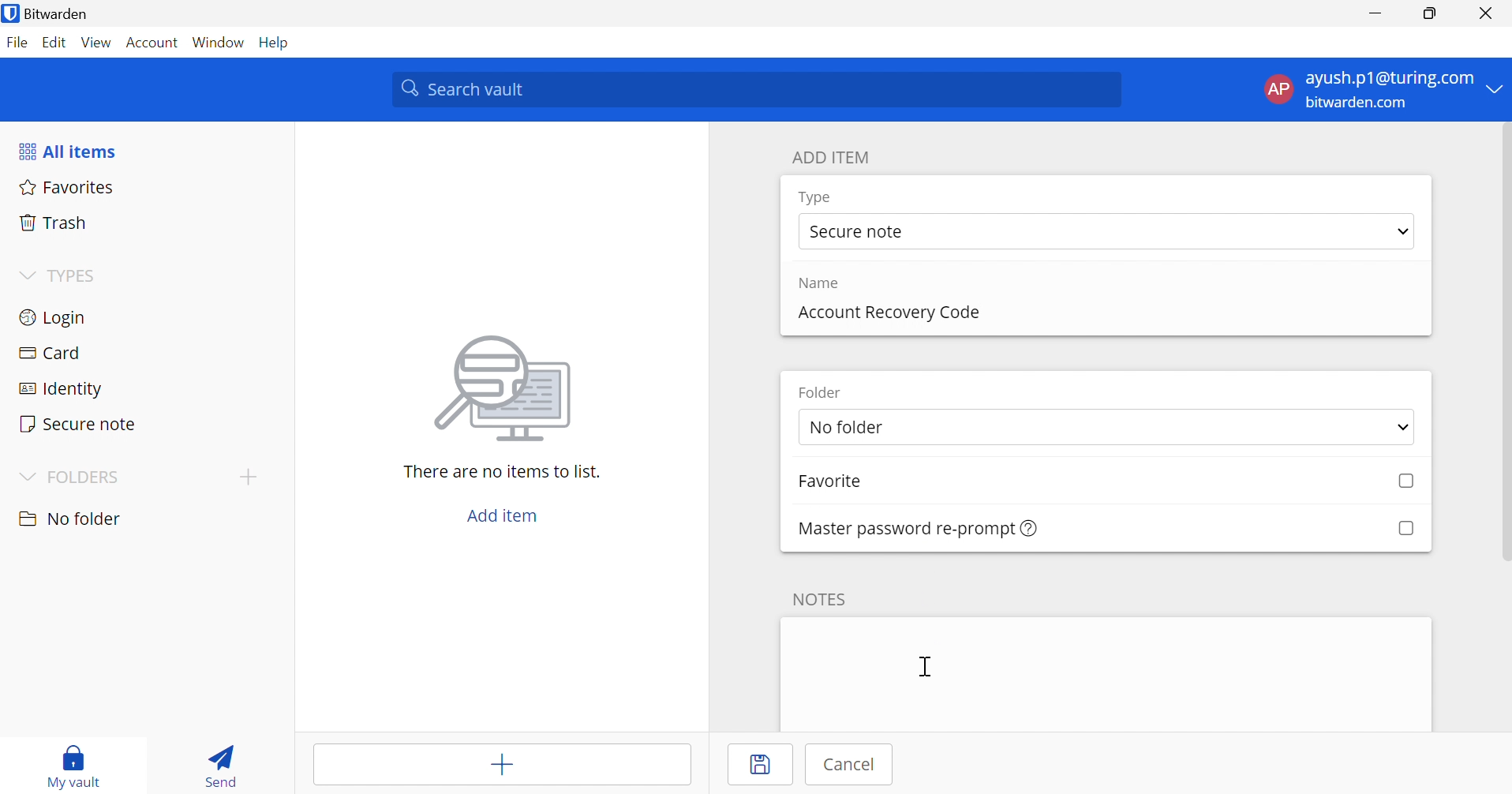 The width and height of the screenshot is (1512, 794). I want to click on Send, so click(219, 769).